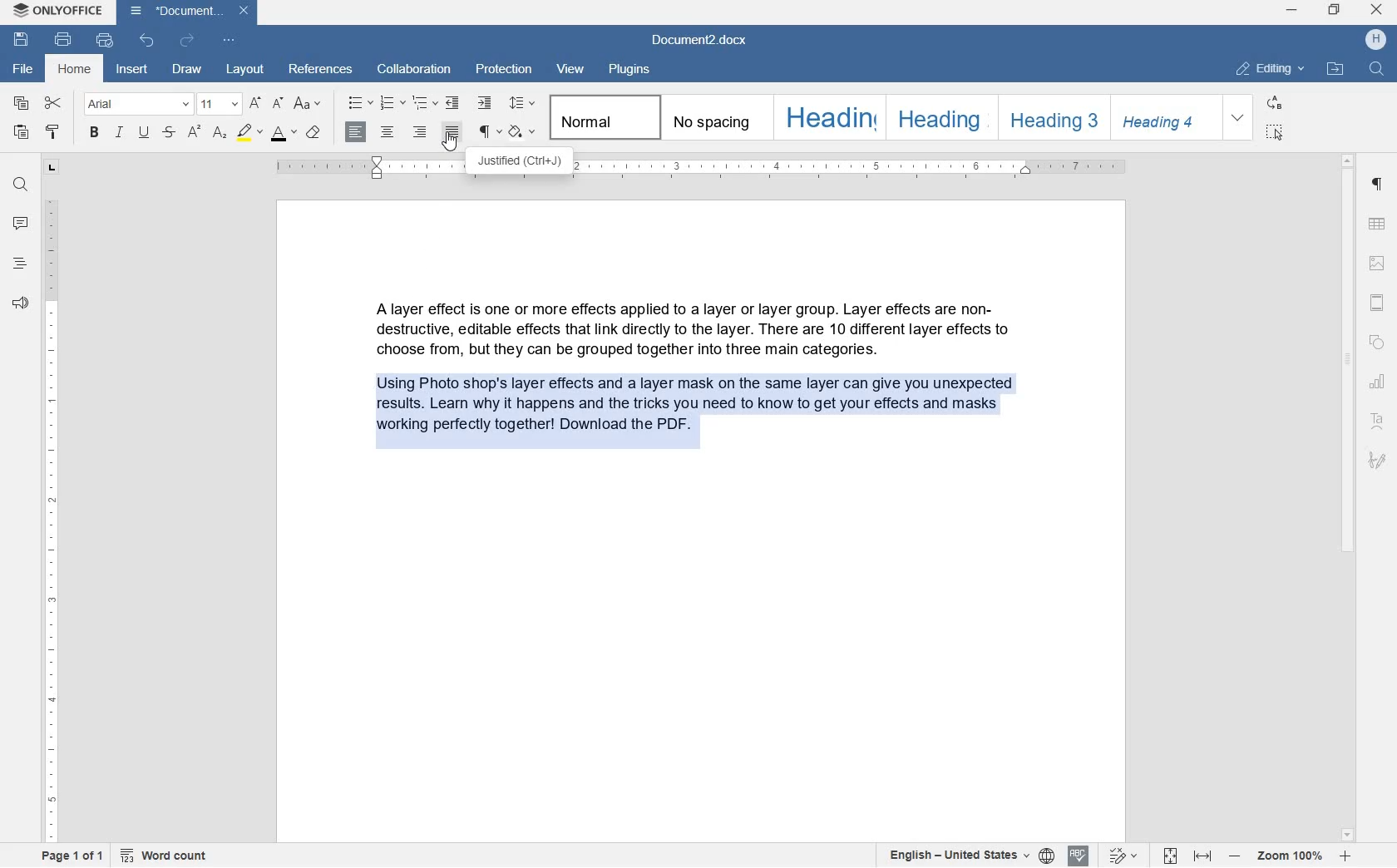 This screenshot has width=1397, height=868. Describe the element at coordinates (72, 856) in the screenshot. I see `PAGE 1 OF 1` at that location.